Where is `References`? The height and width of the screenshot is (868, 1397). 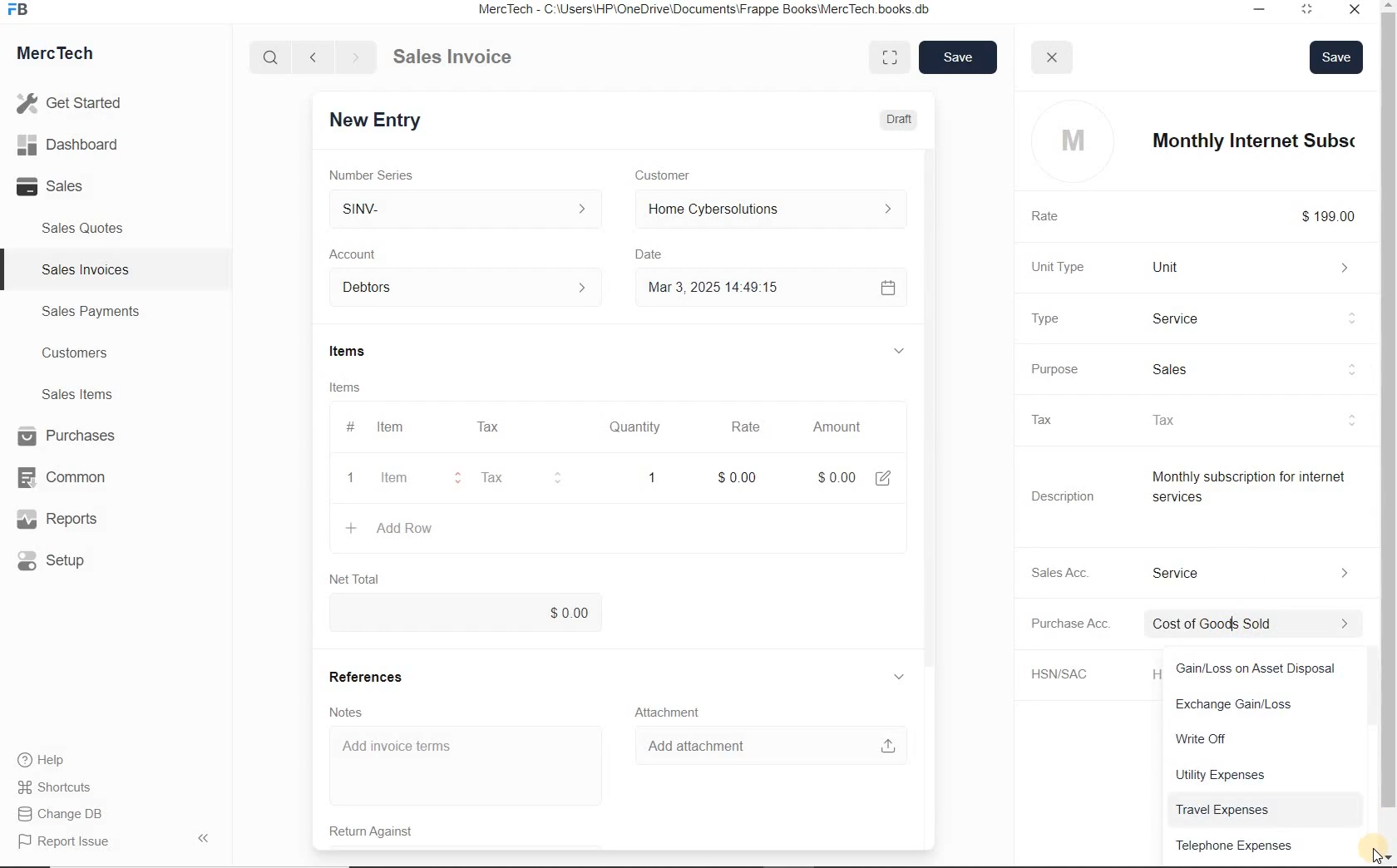
References is located at coordinates (378, 675).